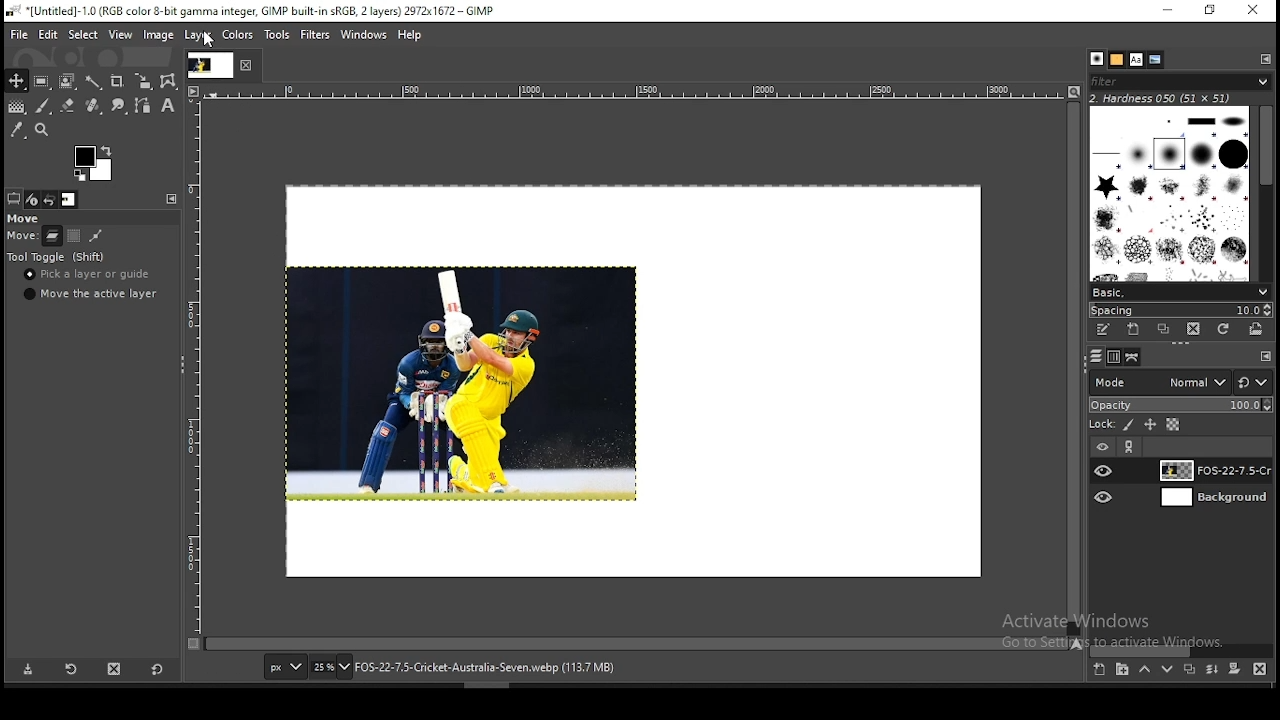  I want to click on help, so click(410, 37).